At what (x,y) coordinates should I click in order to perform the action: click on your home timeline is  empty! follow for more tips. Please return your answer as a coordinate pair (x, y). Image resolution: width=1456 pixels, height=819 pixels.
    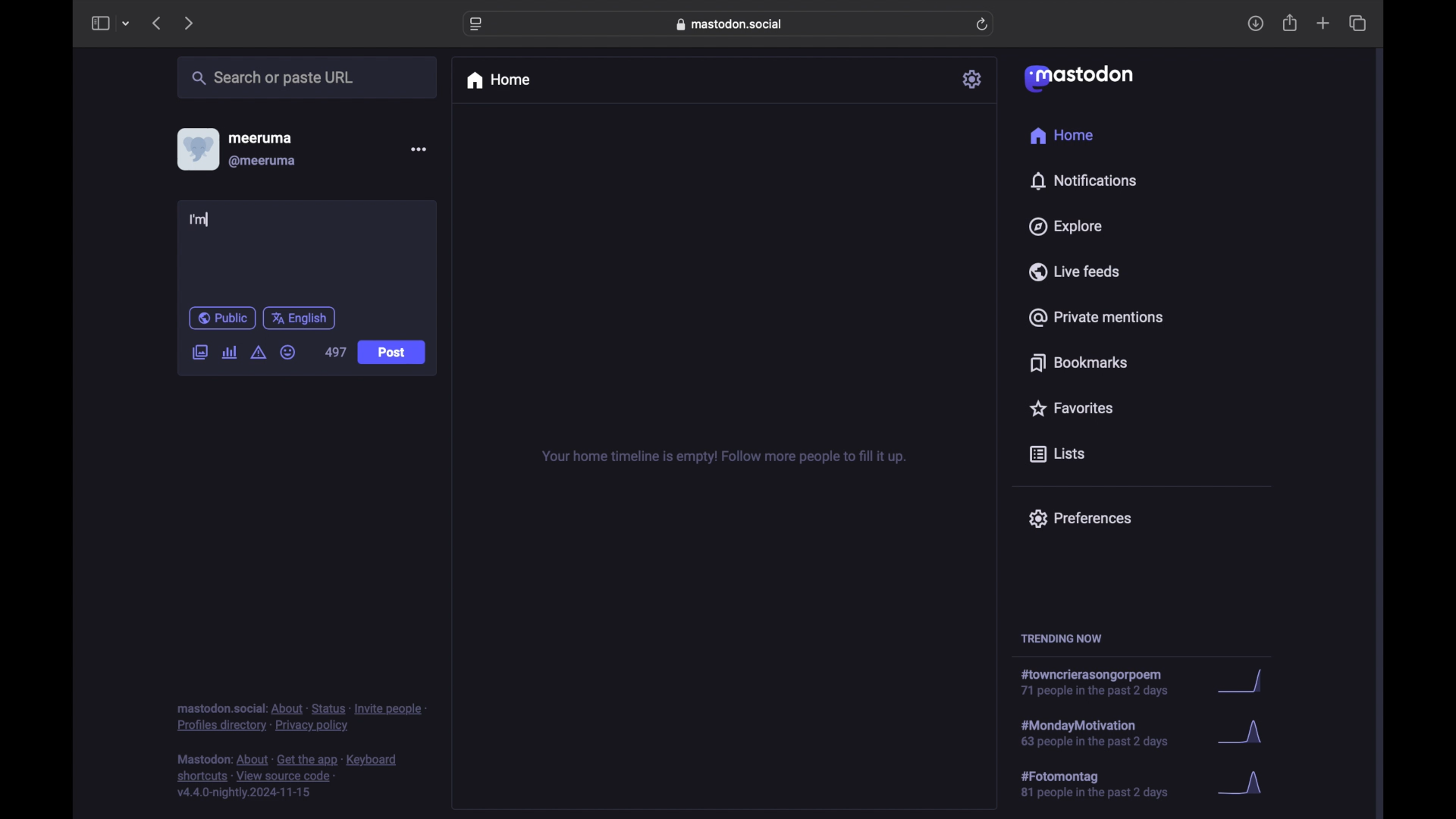
    Looking at the image, I should click on (722, 457).